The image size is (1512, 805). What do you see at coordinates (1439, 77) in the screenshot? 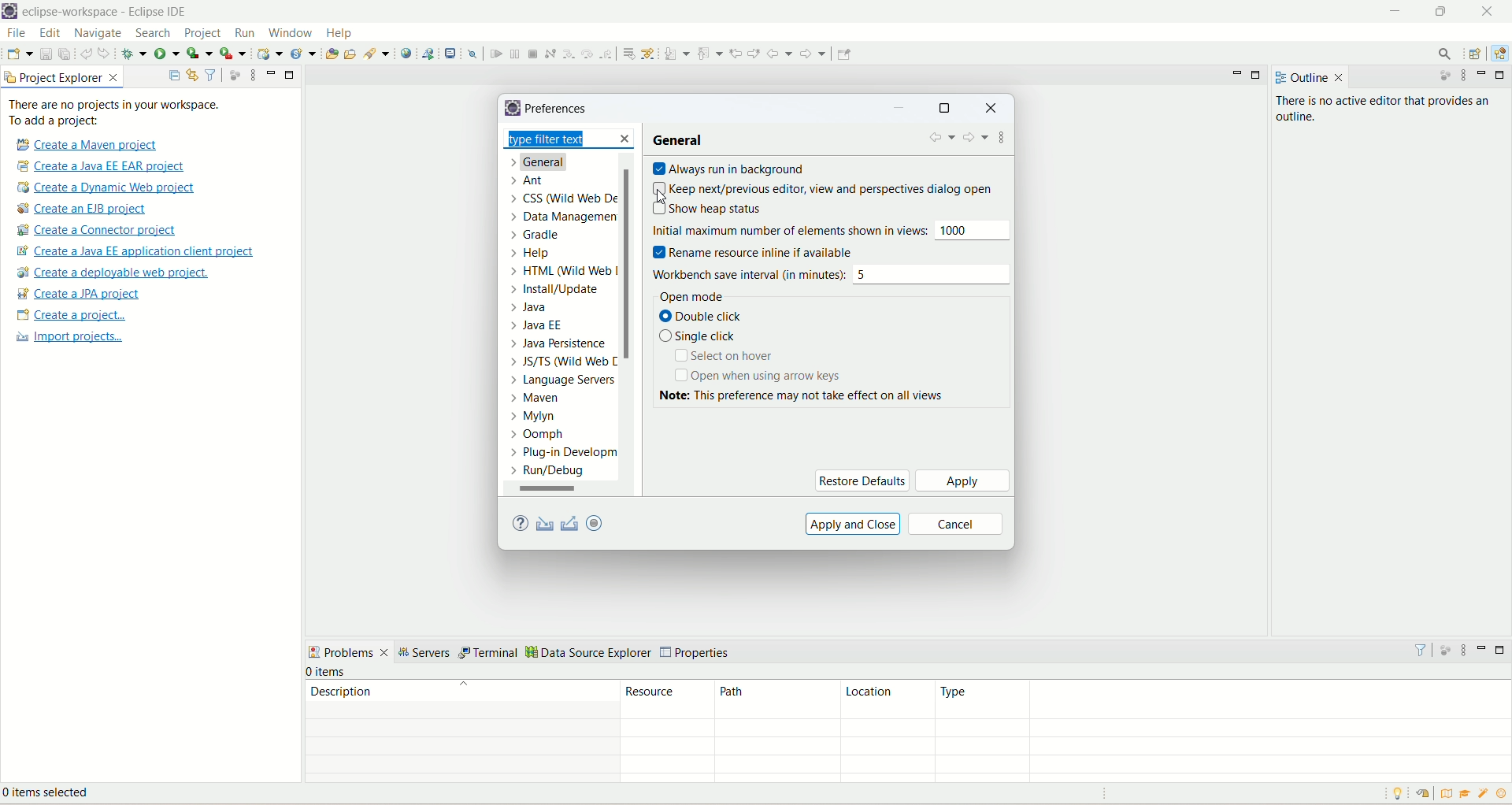
I see `focus on active task` at bounding box center [1439, 77].